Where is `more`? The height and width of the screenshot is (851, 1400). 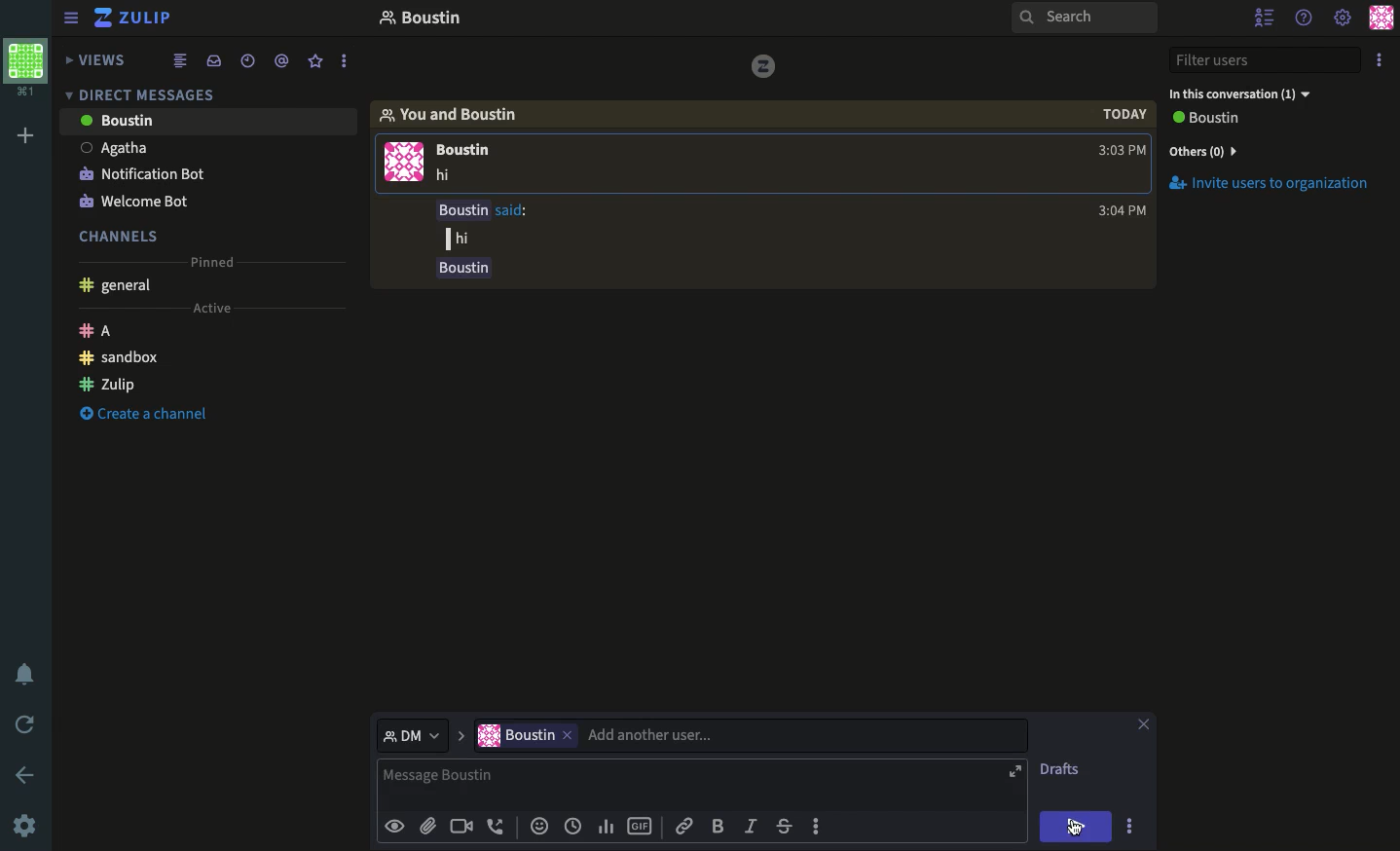 more is located at coordinates (346, 62).